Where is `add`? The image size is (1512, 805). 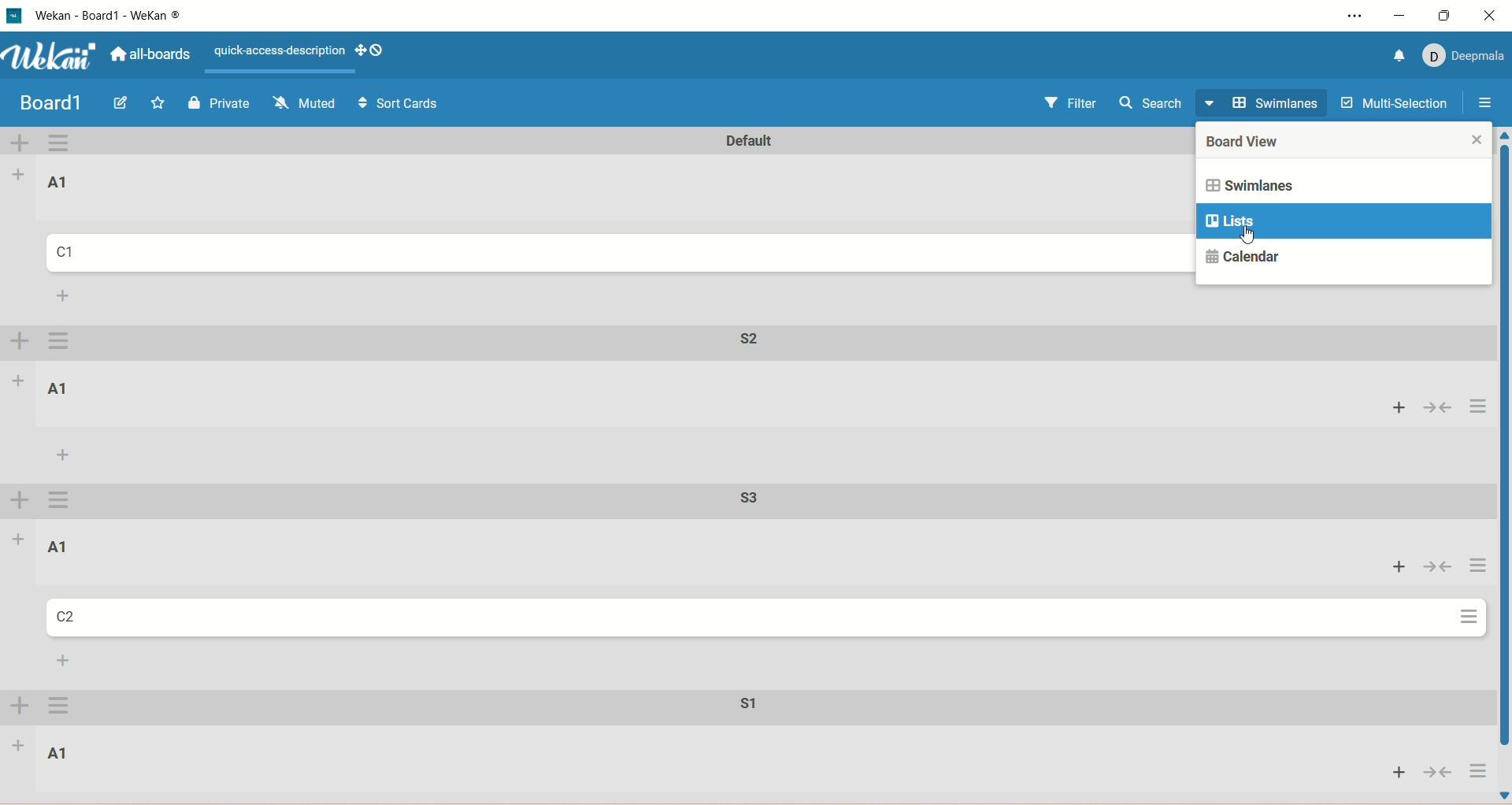 add is located at coordinates (20, 172).